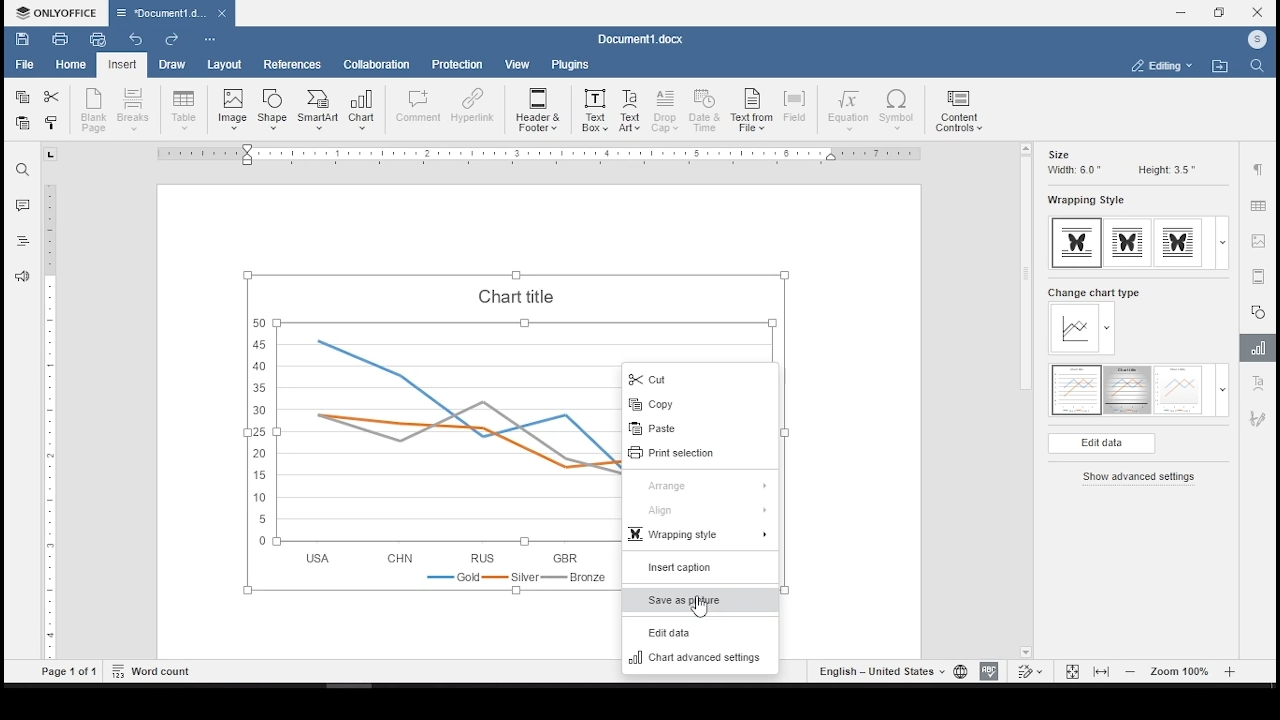  I want to click on field, so click(798, 109).